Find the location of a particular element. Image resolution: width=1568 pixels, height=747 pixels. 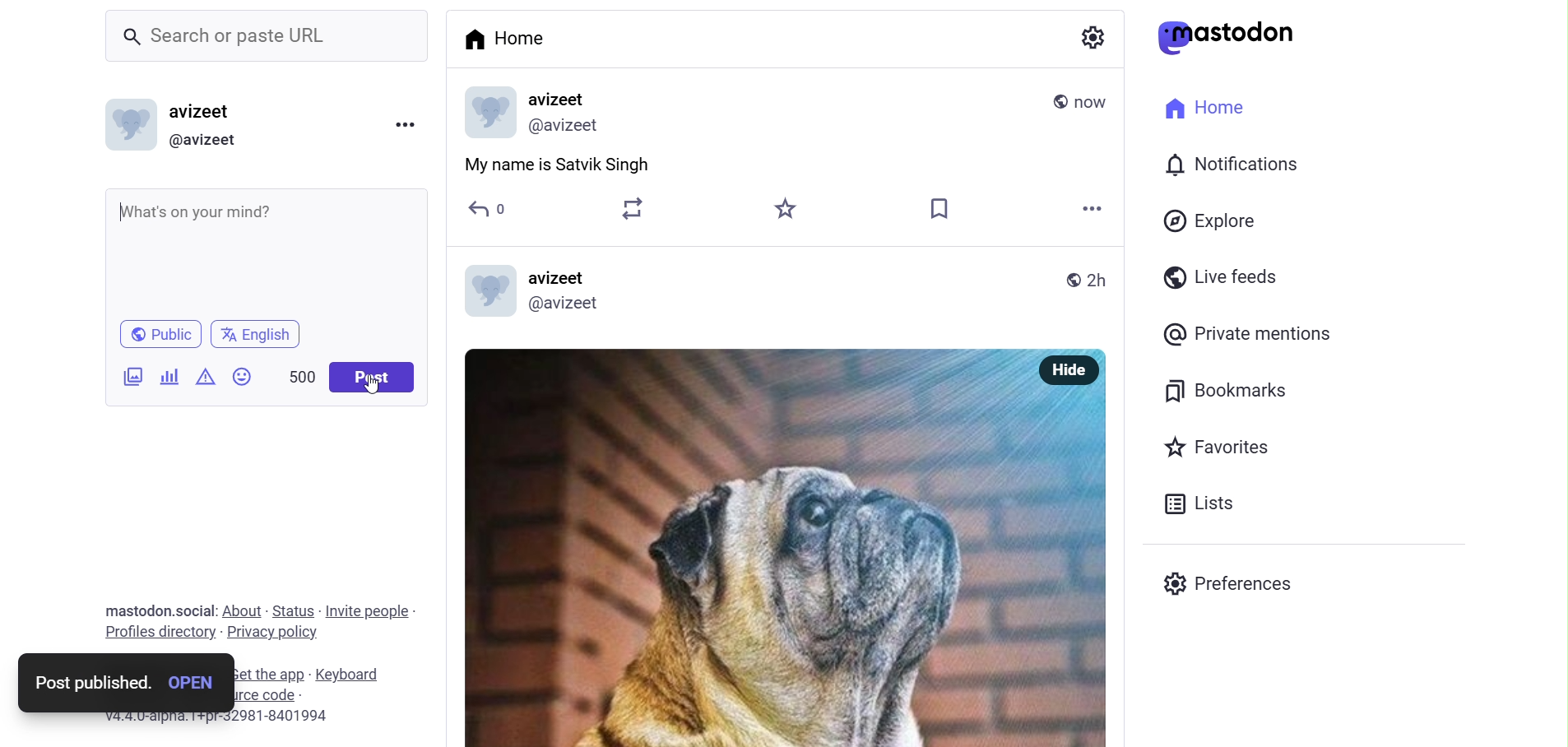

public is located at coordinates (1056, 101).